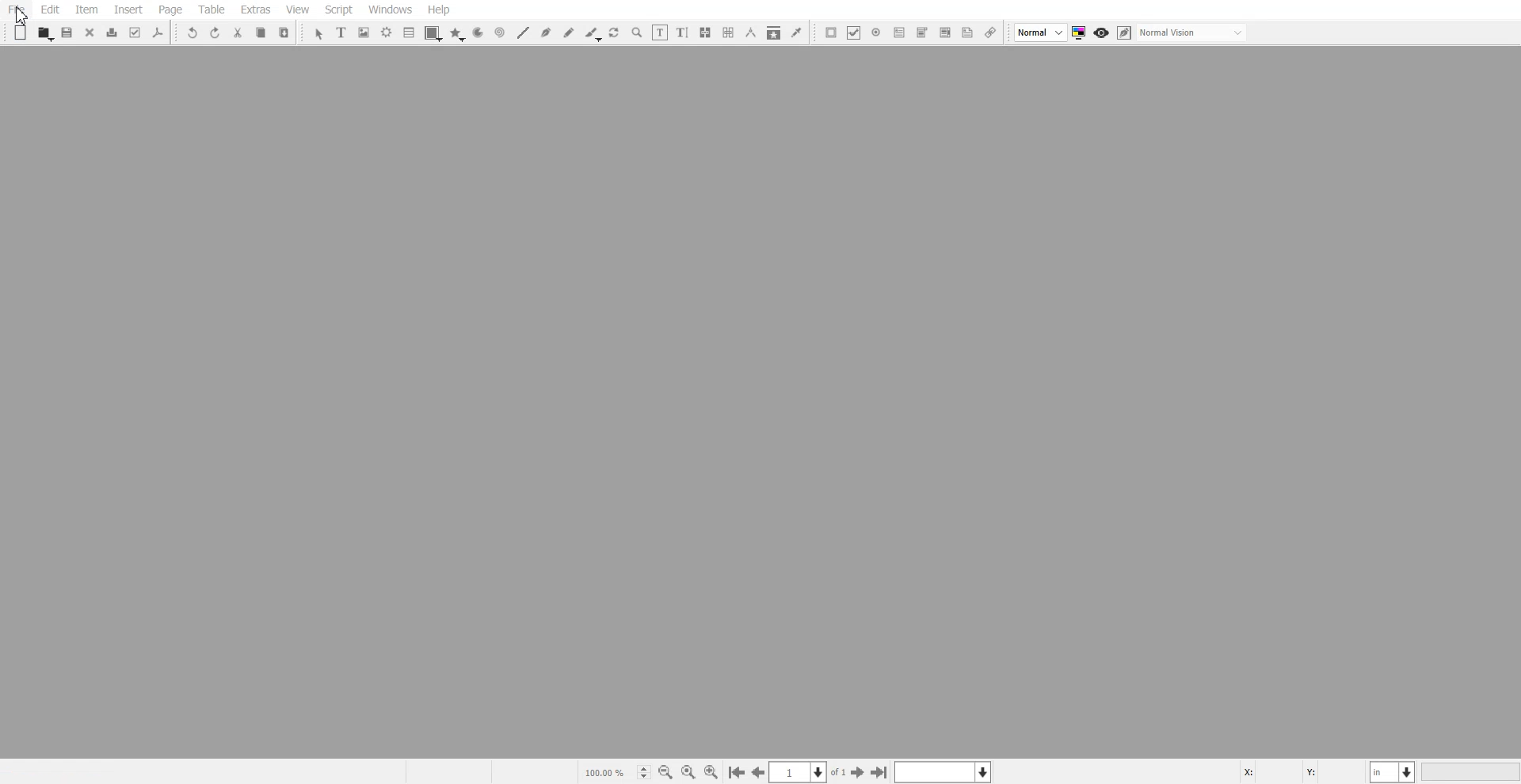 This screenshot has height=784, width=1521. What do you see at coordinates (128, 10) in the screenshot?
I see `Insert` at bounding box center [128, 10].